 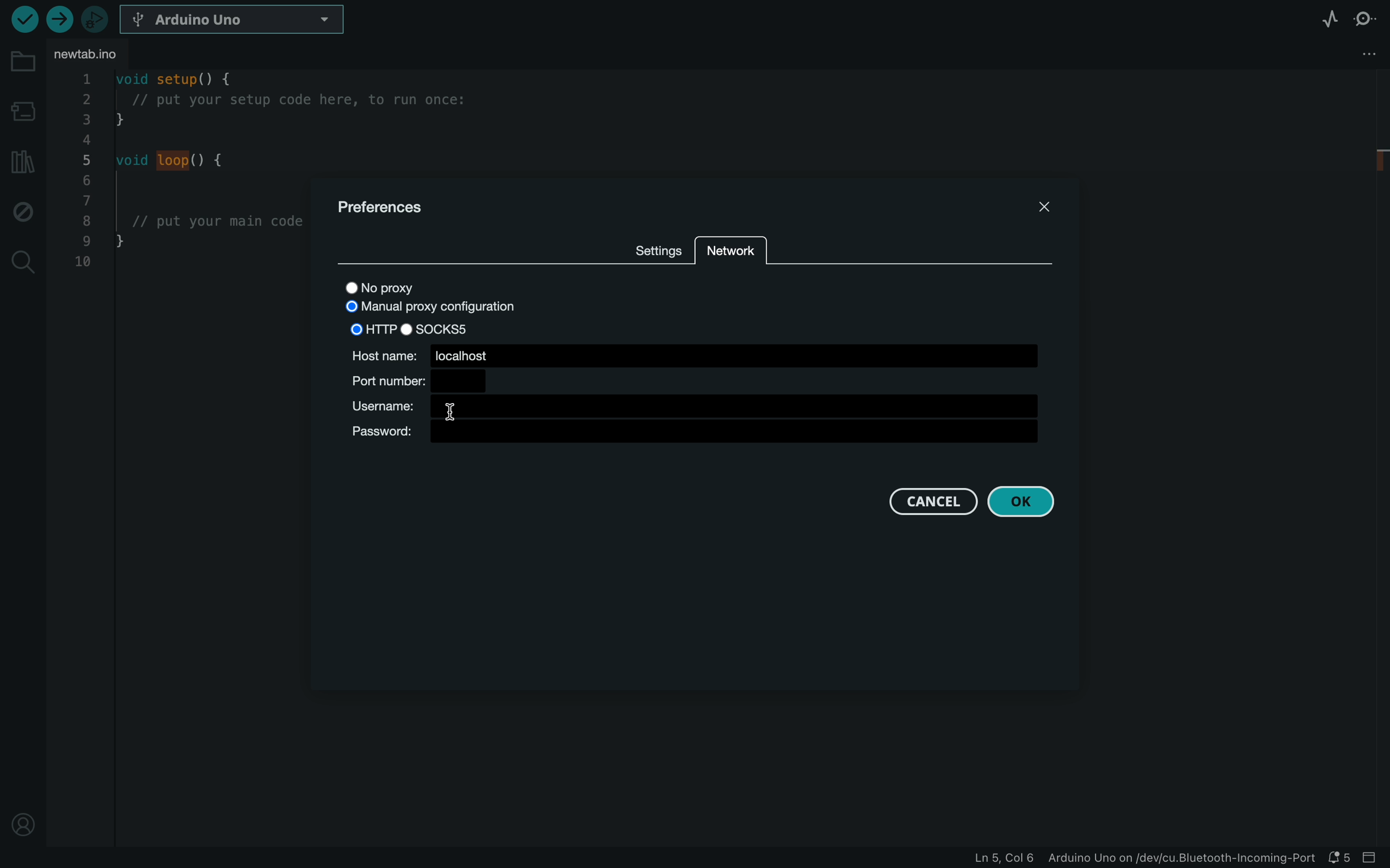 What do you see at coordinates (186, 203) in the screenshot?
I see `code` at bounding box center [186, 203].